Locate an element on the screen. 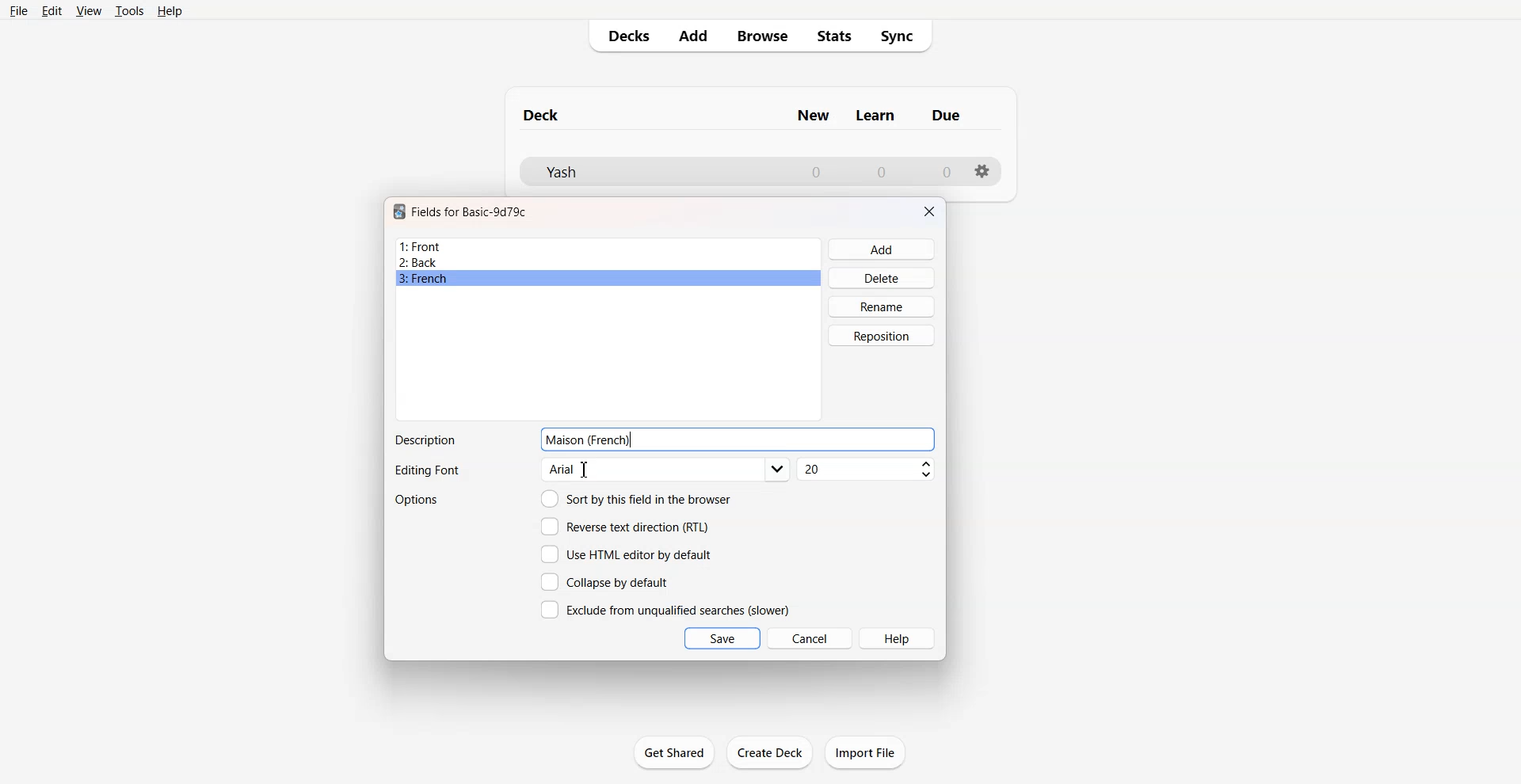  Close is located at coordinates (929, 211).